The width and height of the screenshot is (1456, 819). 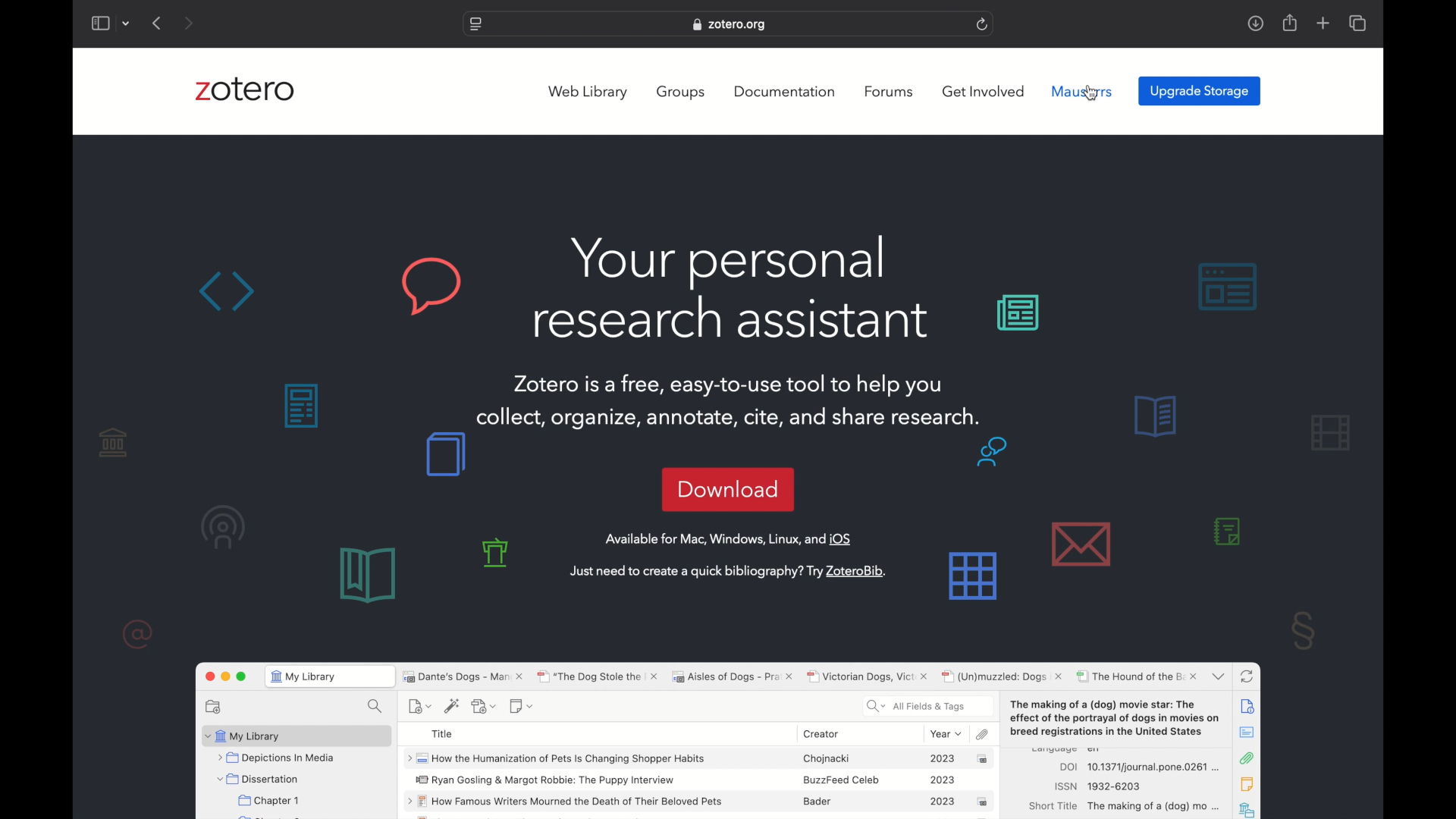 I want to click on your personal research assistant, so click(x=733, y=289).